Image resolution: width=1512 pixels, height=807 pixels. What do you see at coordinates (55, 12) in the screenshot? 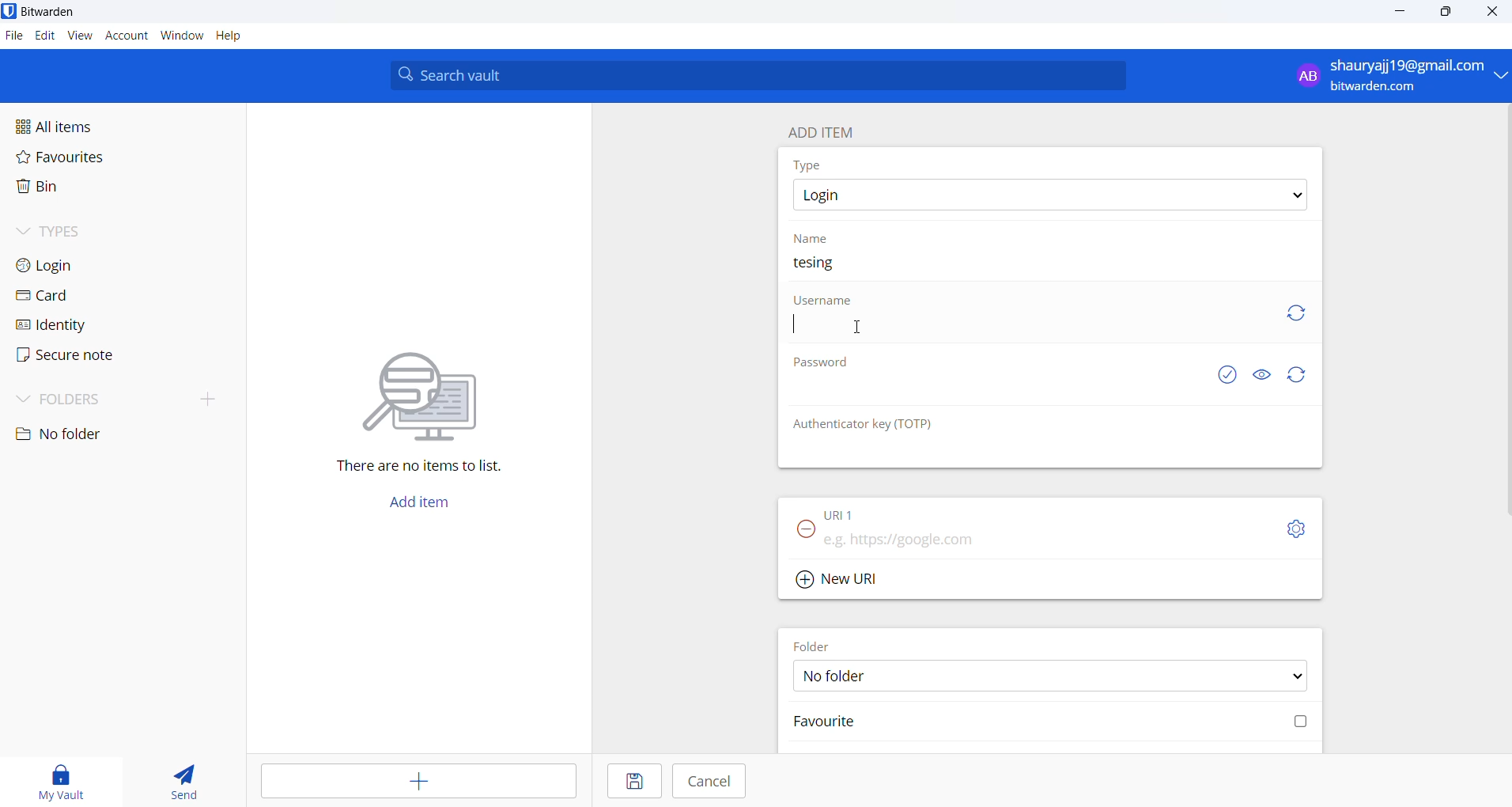
I see `application name` at bounding box center [55, 12].